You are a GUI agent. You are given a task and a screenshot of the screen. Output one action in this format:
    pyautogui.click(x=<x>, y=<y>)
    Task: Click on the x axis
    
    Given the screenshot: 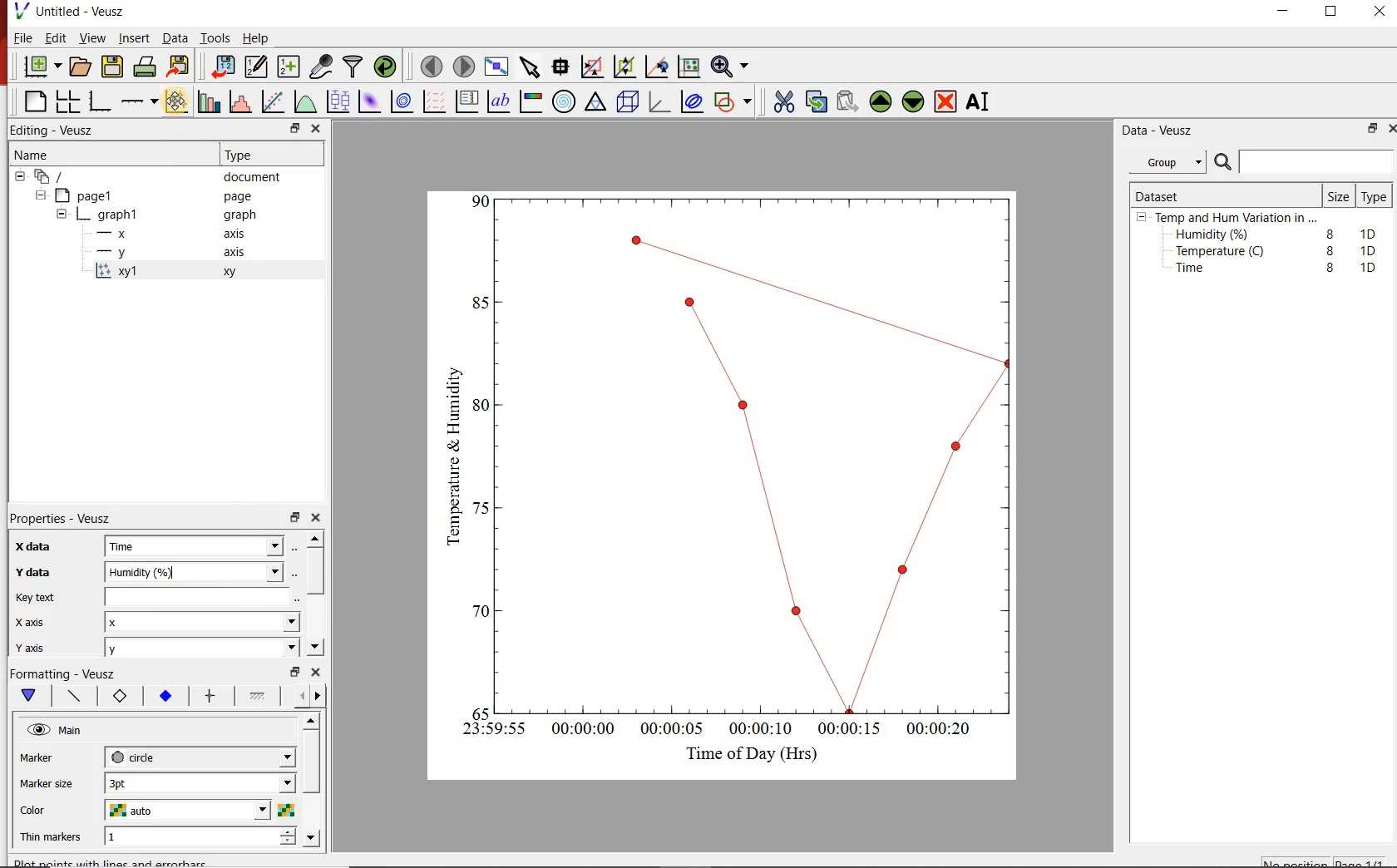 What is the action you would take?
    pyautogui.click(x=40, y=621)
    